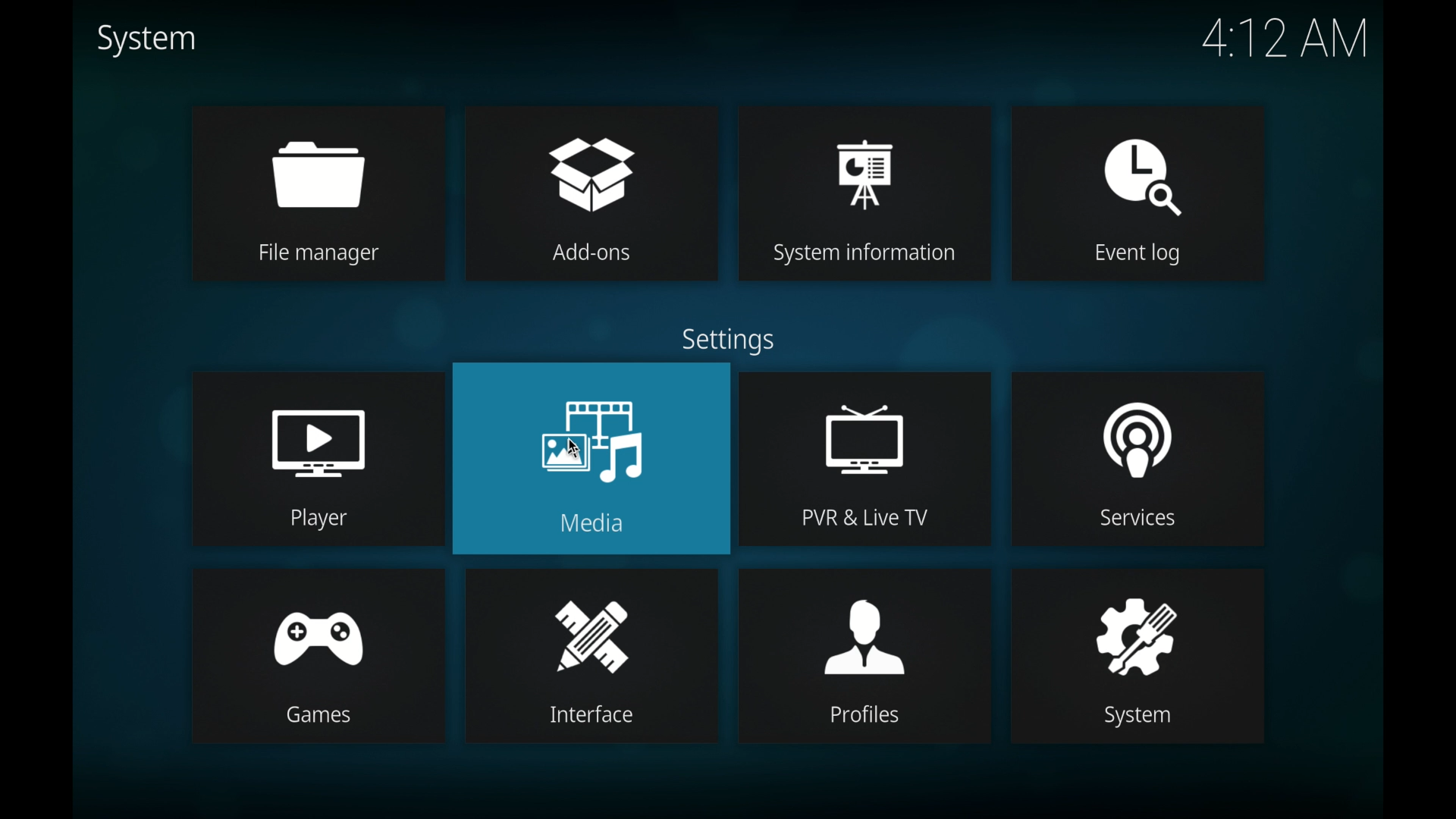 The image size is (1456, 819). I want to click on media, so click(591, 424).